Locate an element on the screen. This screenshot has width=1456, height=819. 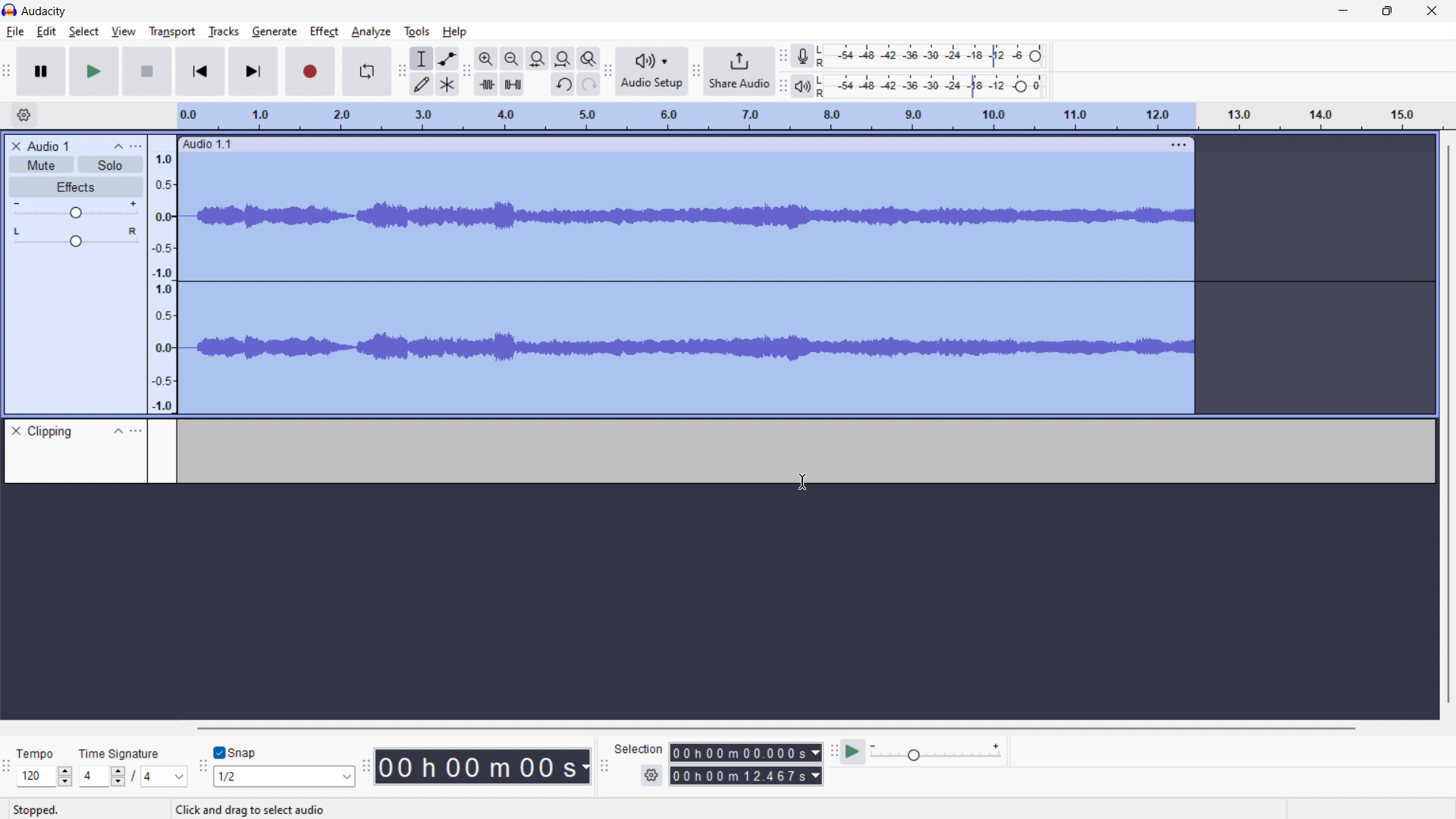
generate is located at coordinates (275, 32).